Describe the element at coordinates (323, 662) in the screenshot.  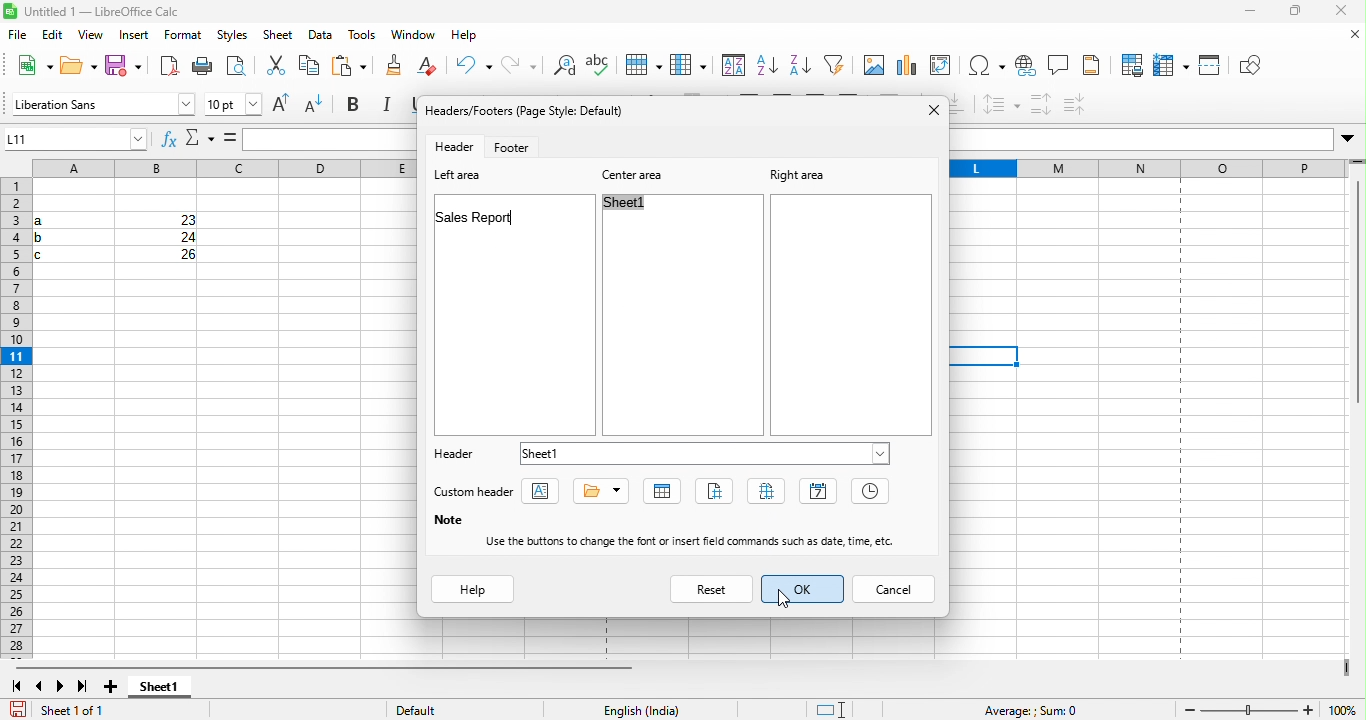
I see `horizontal scroll bar` at that location.